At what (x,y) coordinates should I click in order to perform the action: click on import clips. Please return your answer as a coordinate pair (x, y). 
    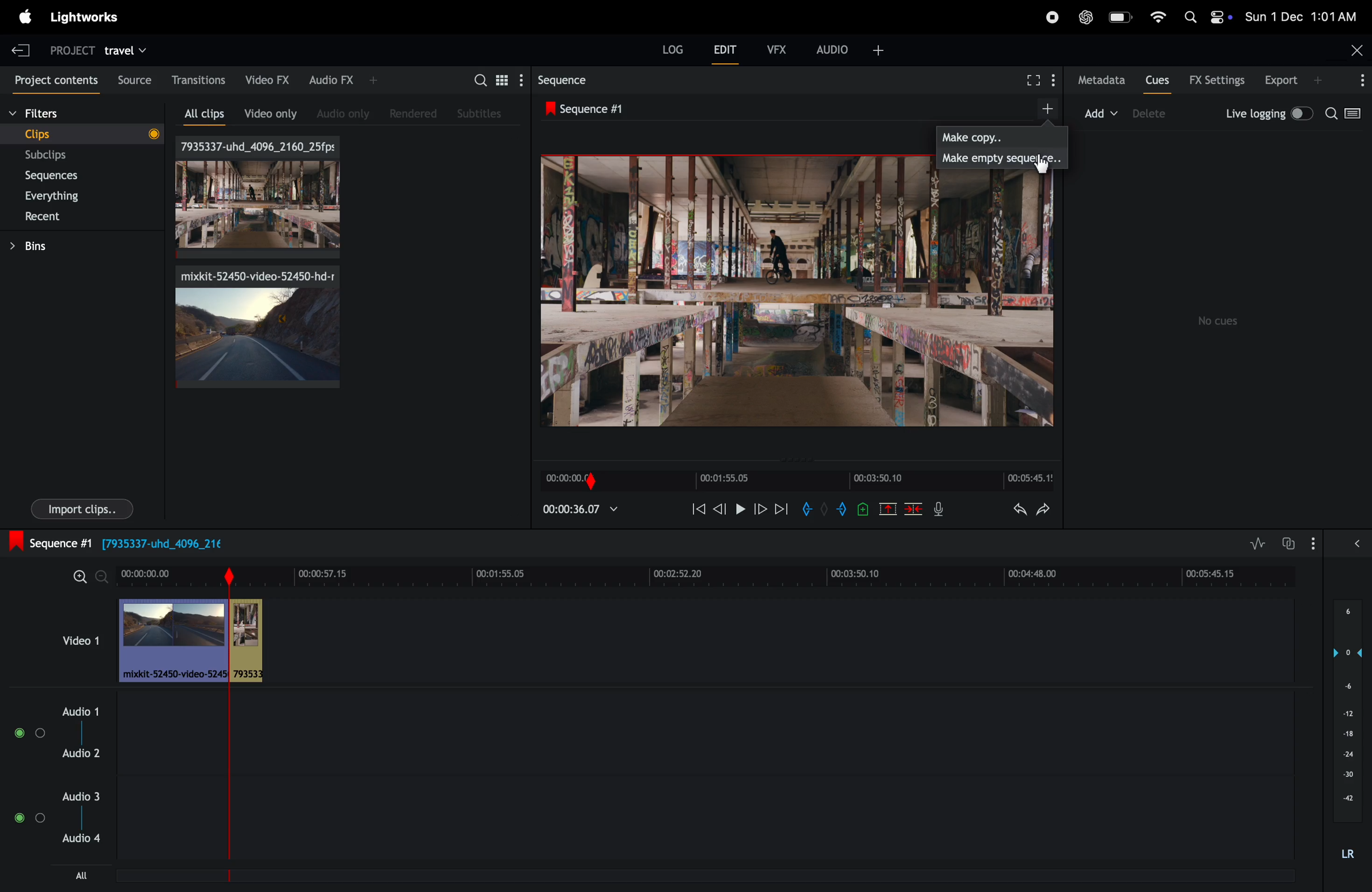
    Looking at the image, I should click on (82, 508).